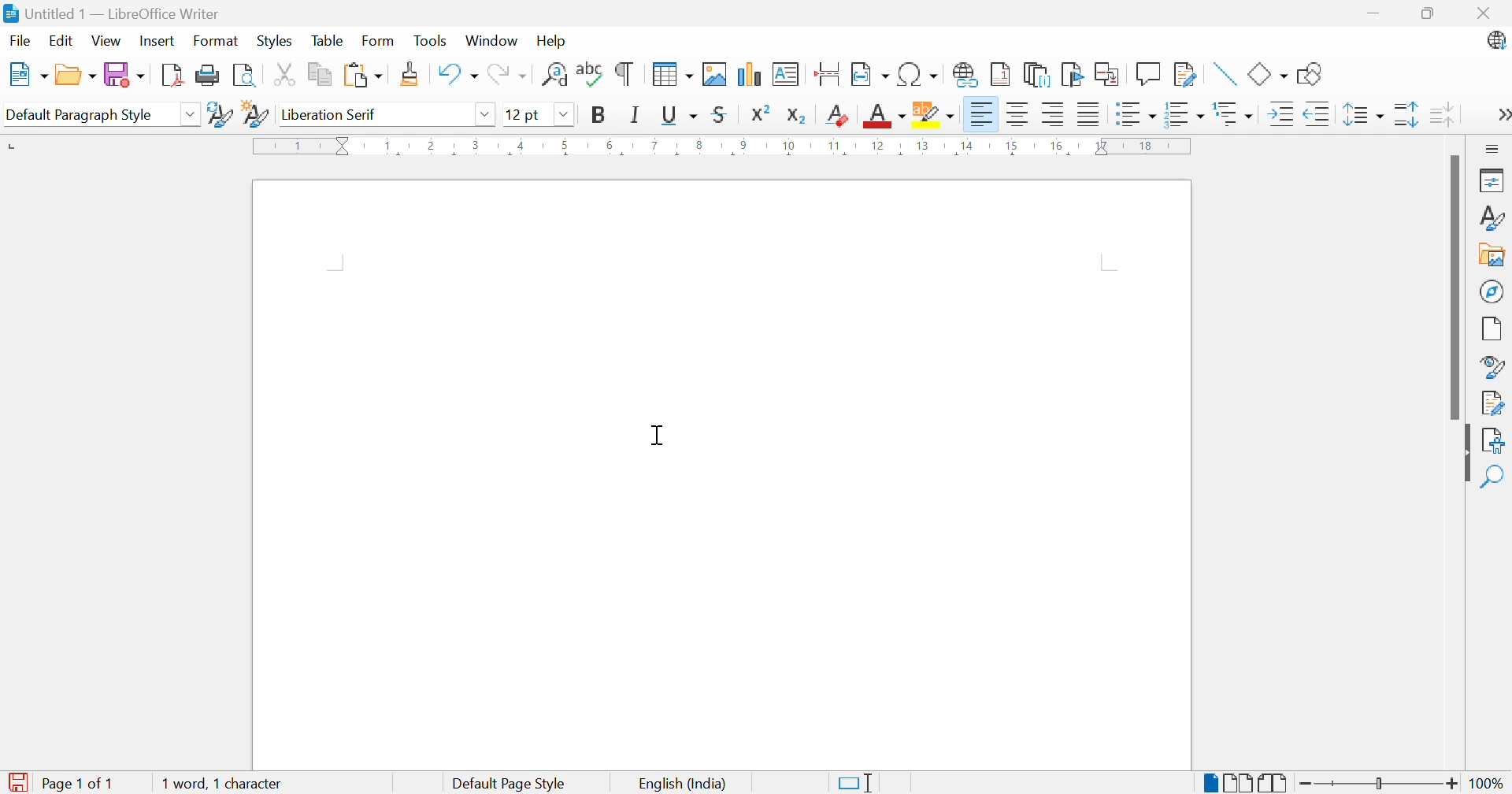  I want to click on Cut, so click(288, 76).